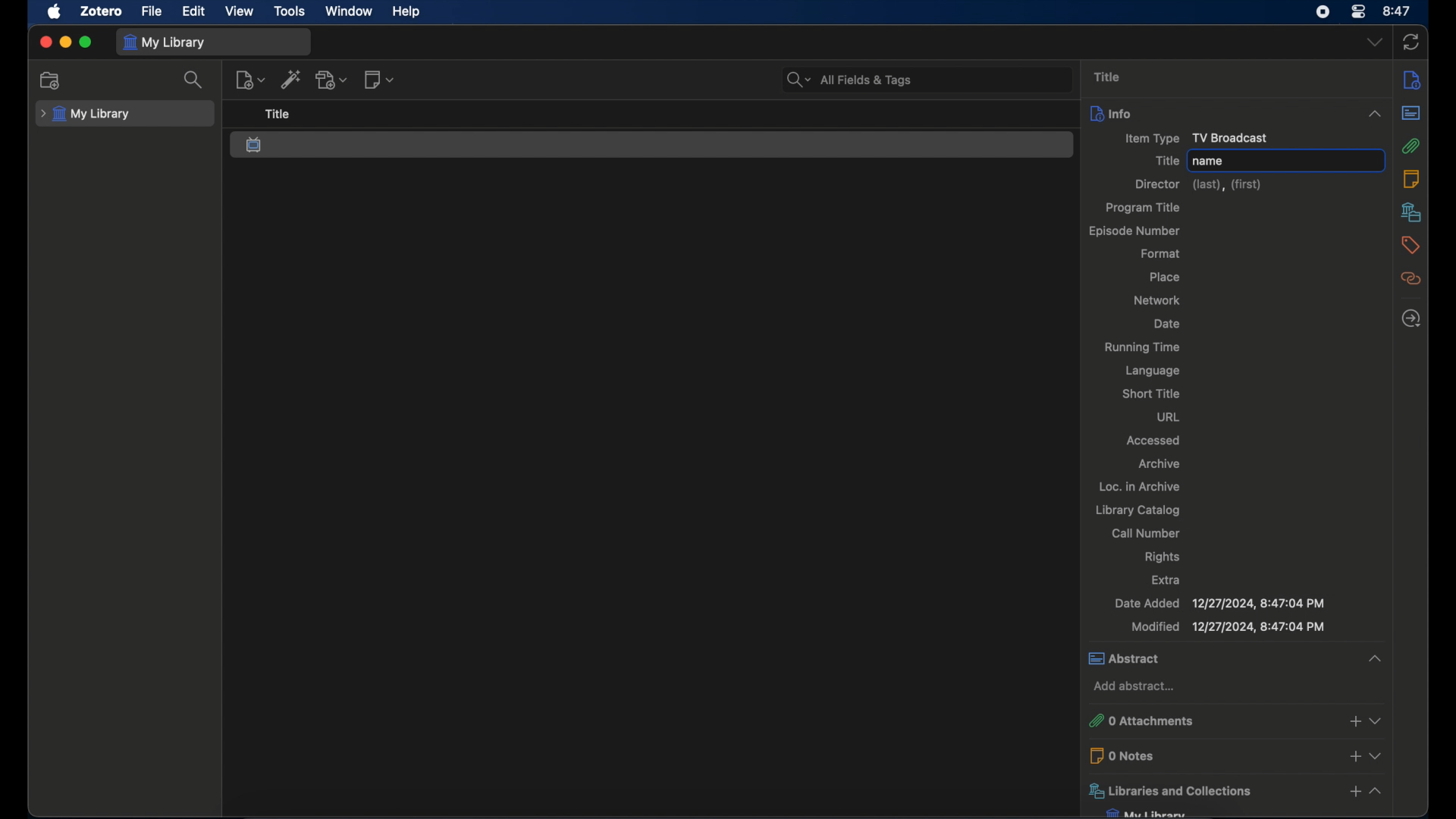 The image size is (1456, 819). I want to click on dropdown, so click(1378, 754).